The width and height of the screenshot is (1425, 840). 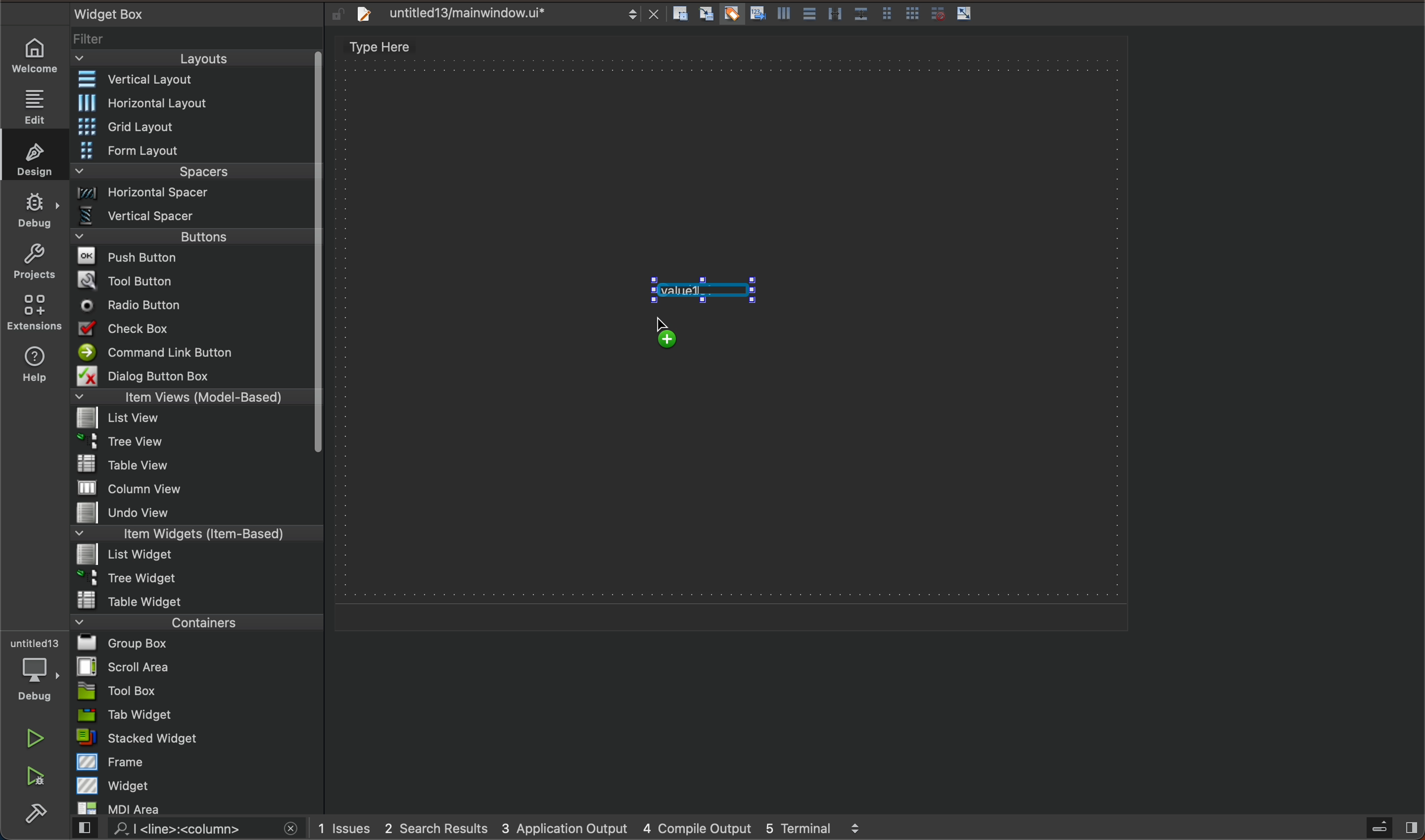 What do you see at coordinates (31, 155) in the screenshot?
I see `design` at bounding box center [31, 155].